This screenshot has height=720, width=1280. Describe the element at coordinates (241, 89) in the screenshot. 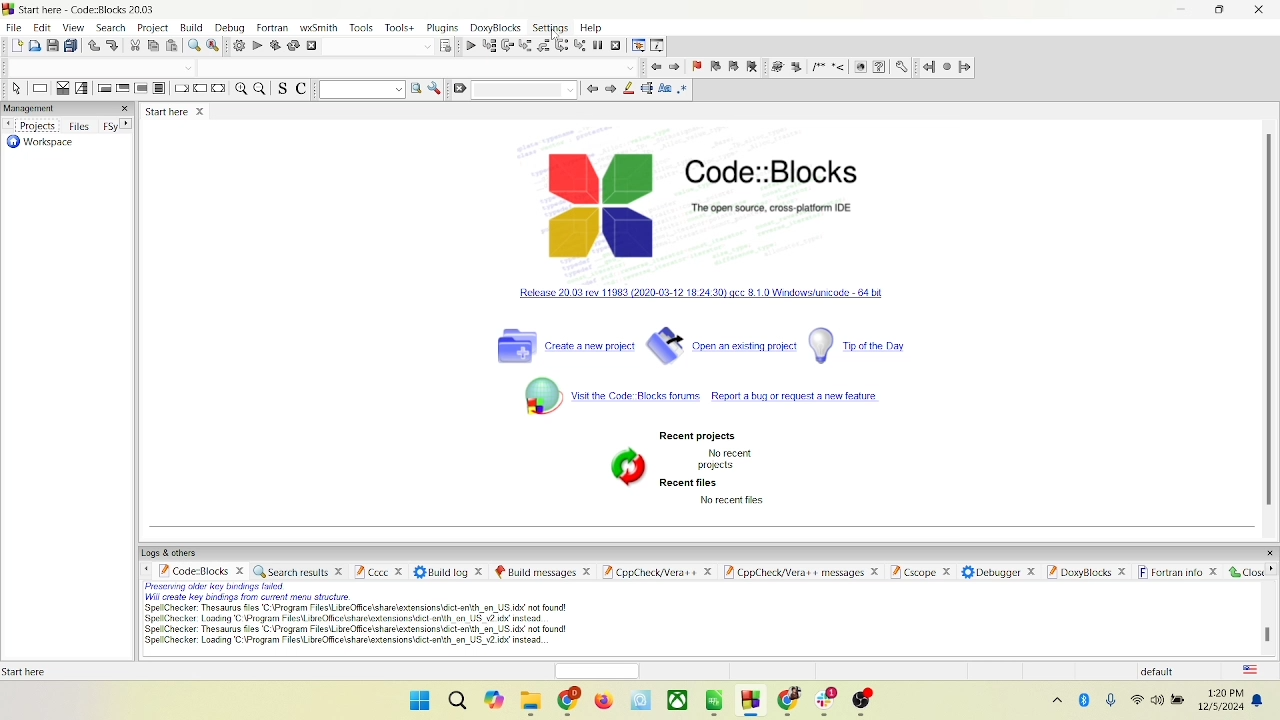

I see `zoom in` at that location.